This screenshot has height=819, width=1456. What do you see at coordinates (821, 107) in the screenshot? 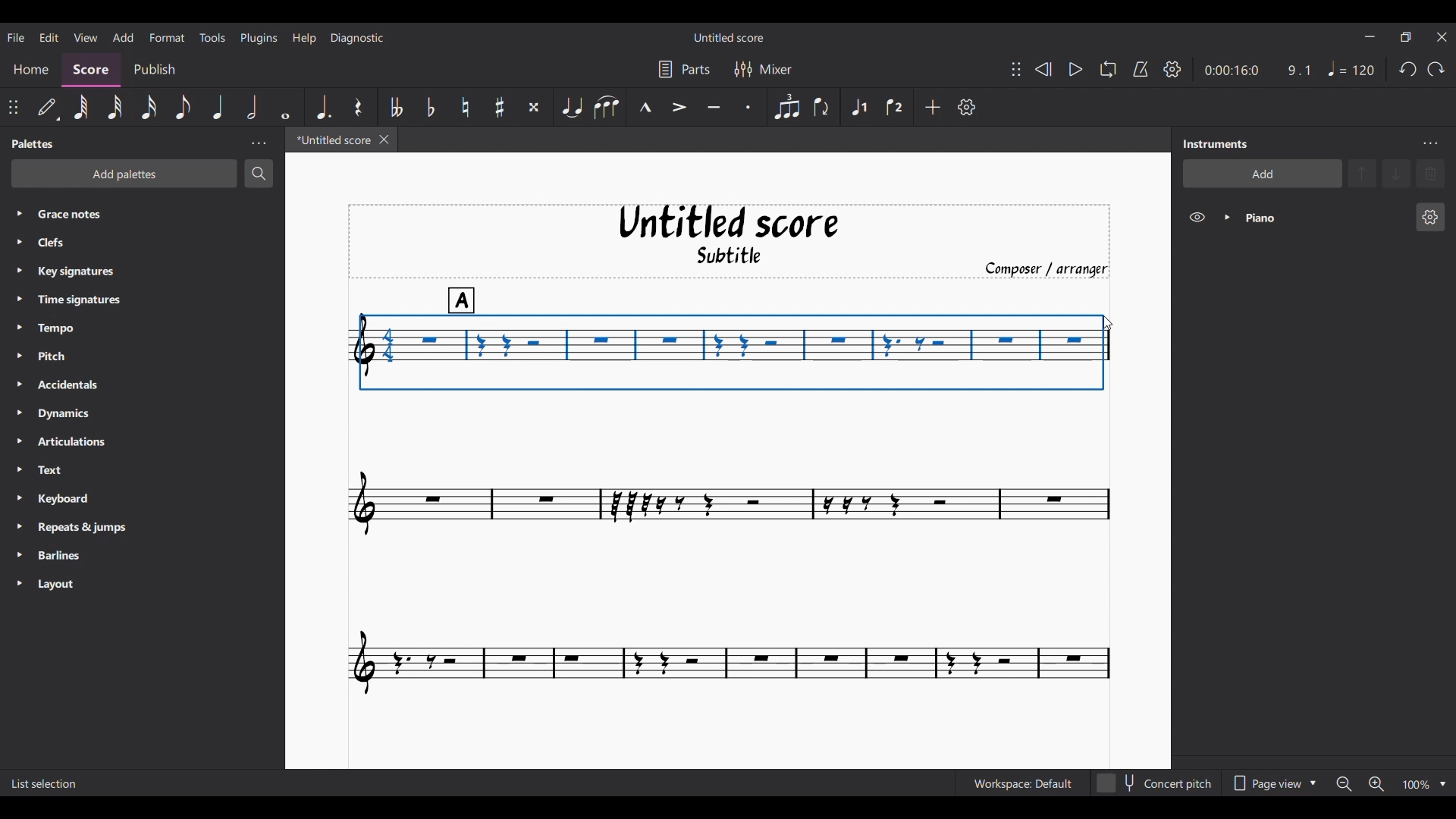
I see `Flip direction` at bounding box center [821, 107].